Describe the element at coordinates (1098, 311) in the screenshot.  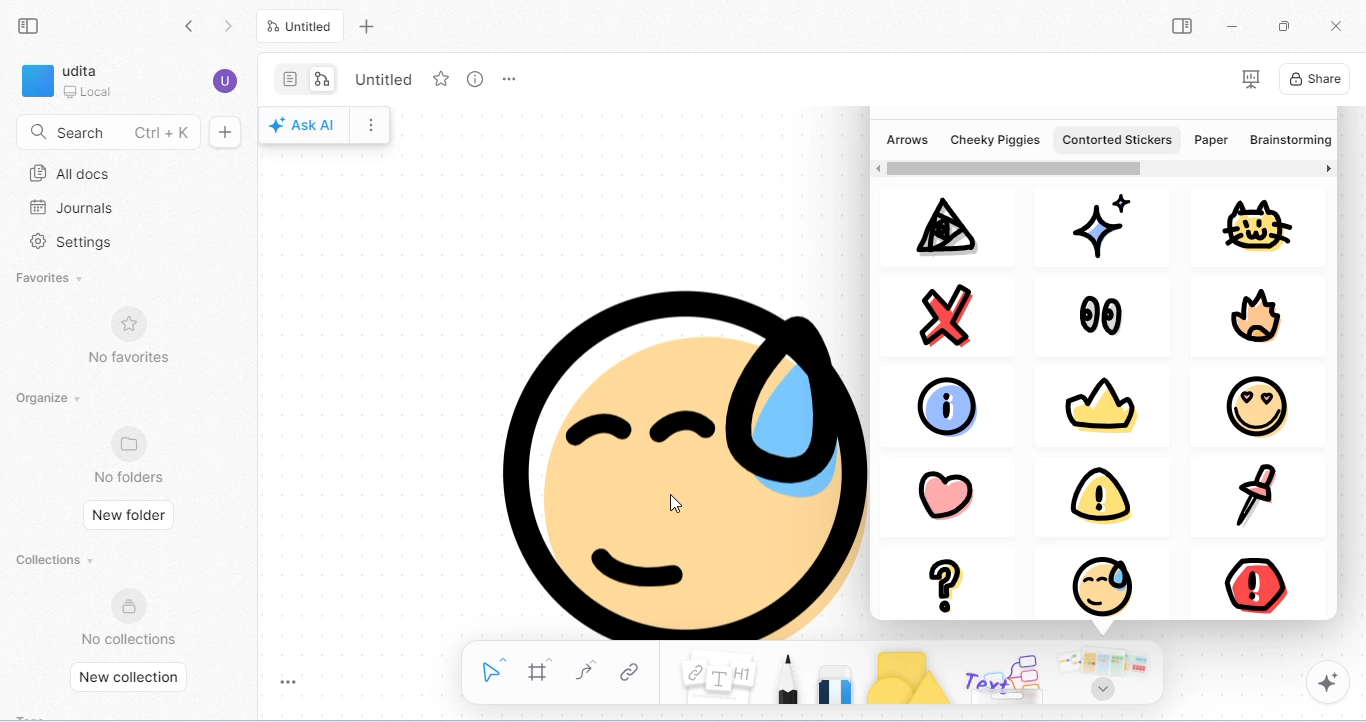
I see `eyes` at that location.